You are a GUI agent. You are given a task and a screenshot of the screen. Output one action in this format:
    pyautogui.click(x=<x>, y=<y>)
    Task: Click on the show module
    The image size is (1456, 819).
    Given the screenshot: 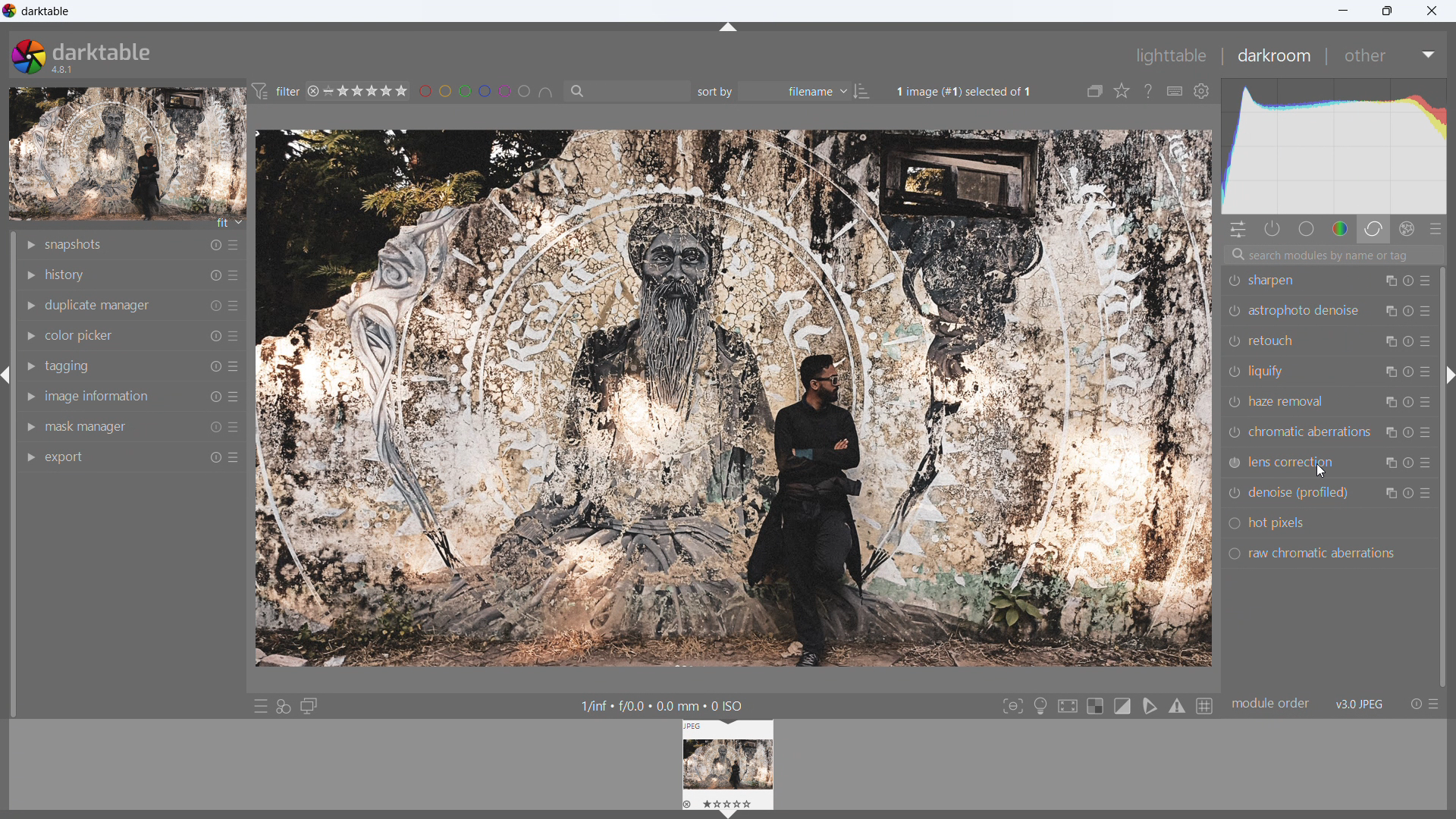 What is the action you would take?
    pyautogui.click(x=28, y=246)
    